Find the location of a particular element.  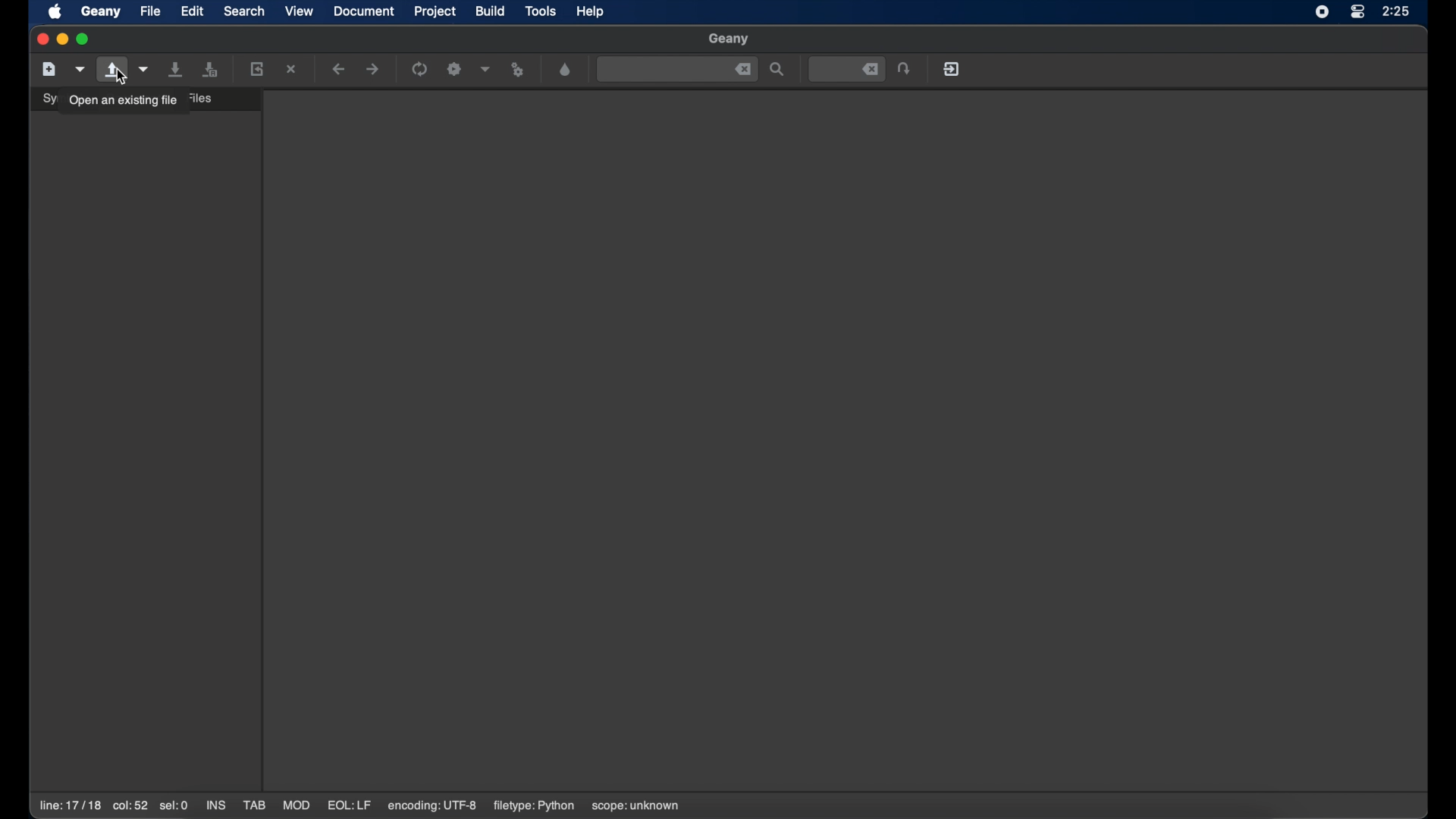

search is located at coordinates (244, 11).